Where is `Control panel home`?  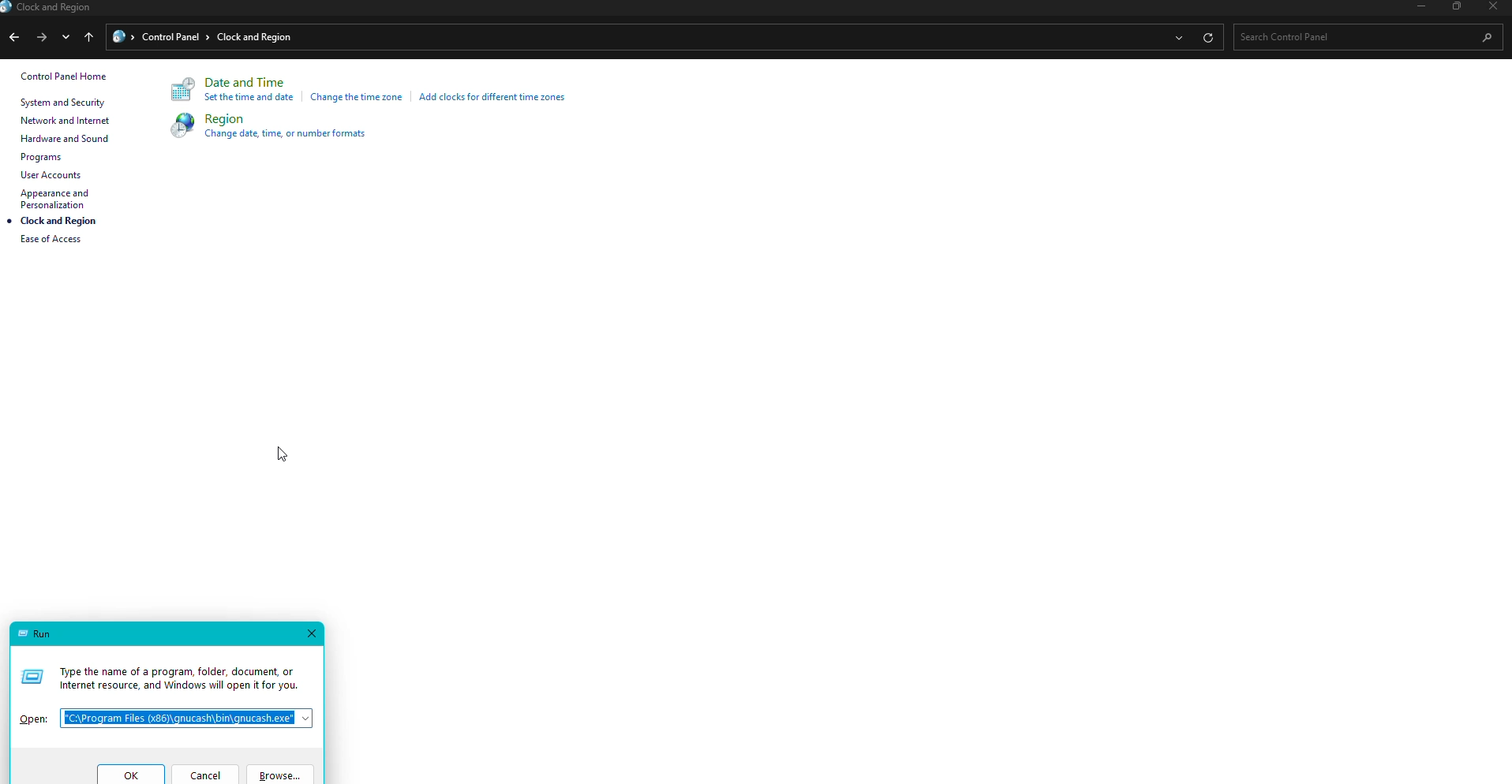
Control panel home is located at coordinates (64, 77).